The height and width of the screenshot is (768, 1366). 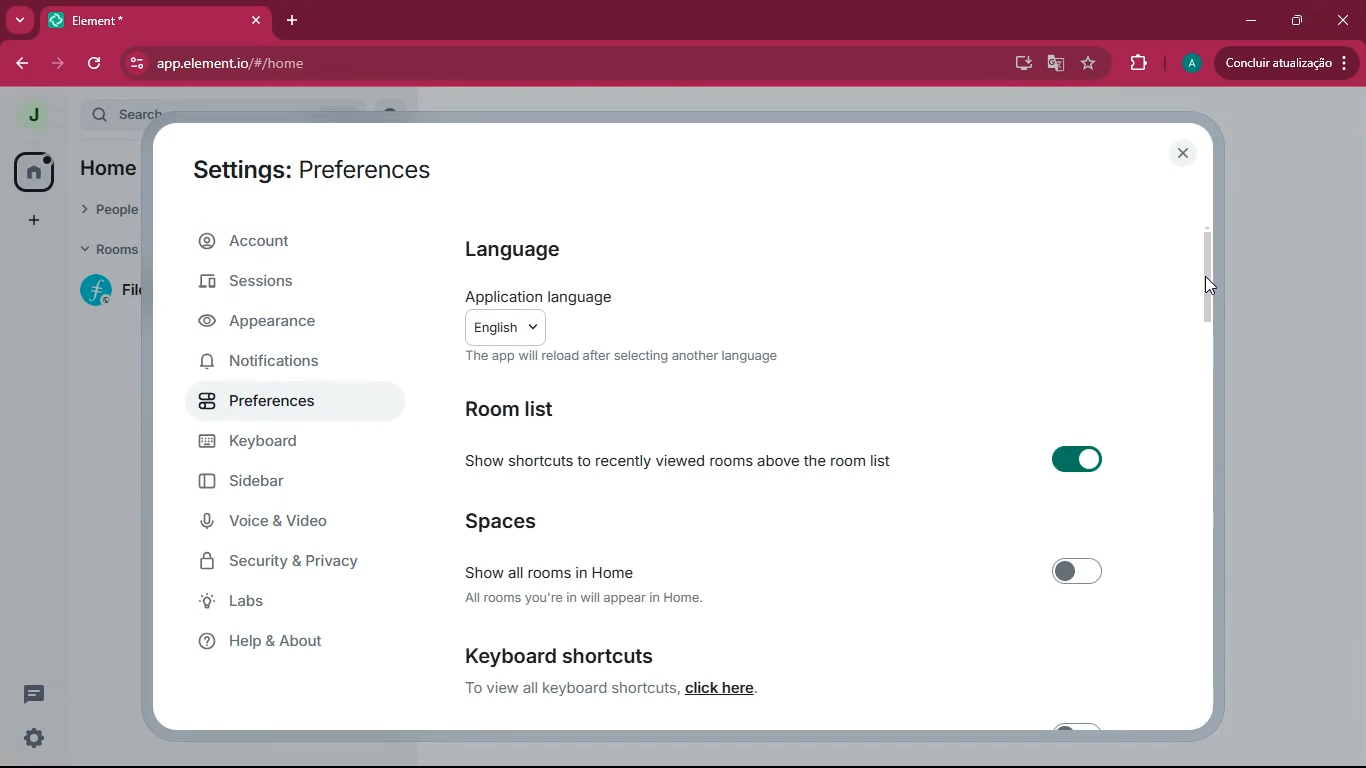 I want to click on language, so click(x=633, y=315).